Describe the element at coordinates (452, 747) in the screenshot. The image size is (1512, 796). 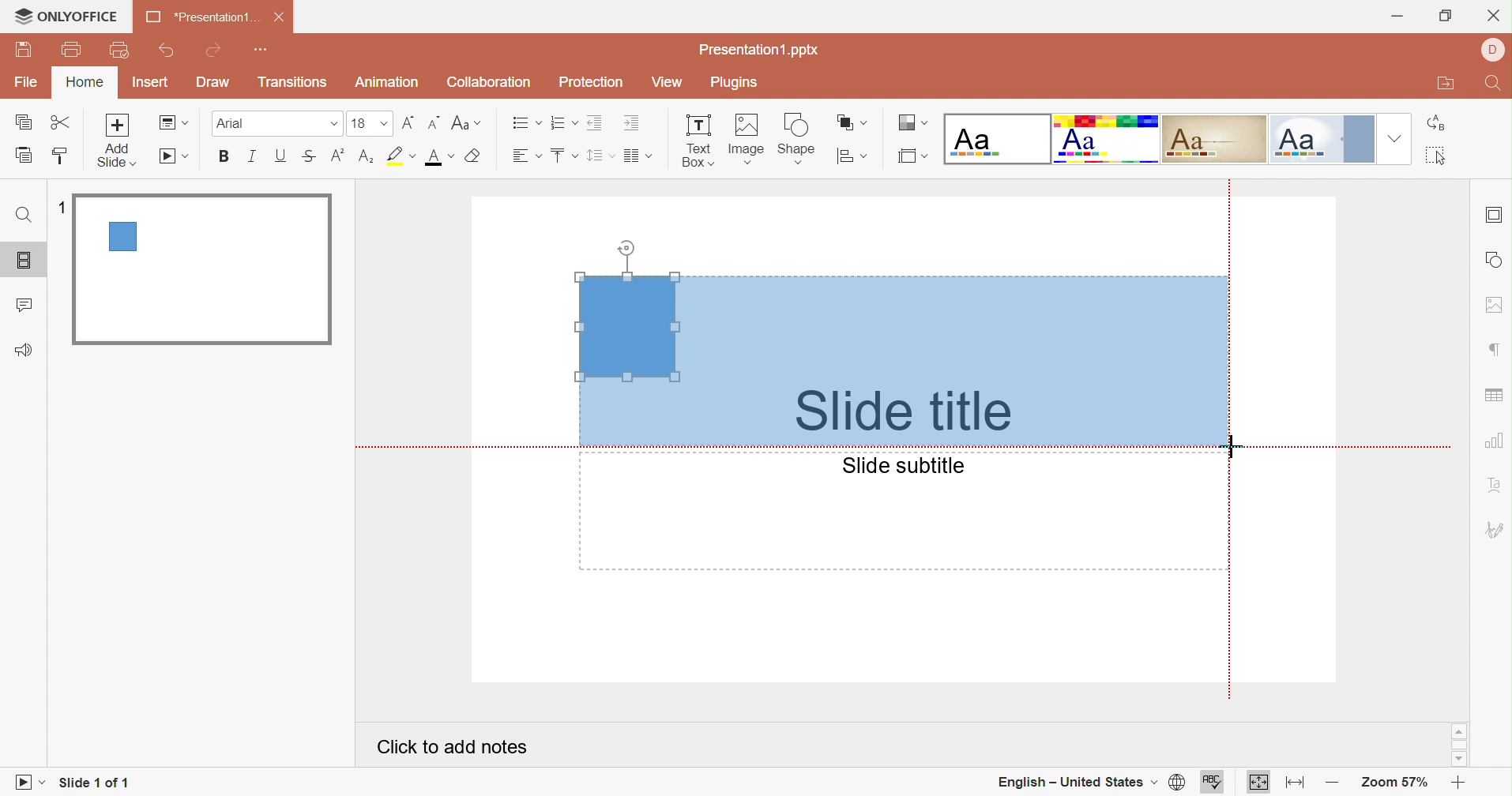
I see `Click to add notes` at that location.